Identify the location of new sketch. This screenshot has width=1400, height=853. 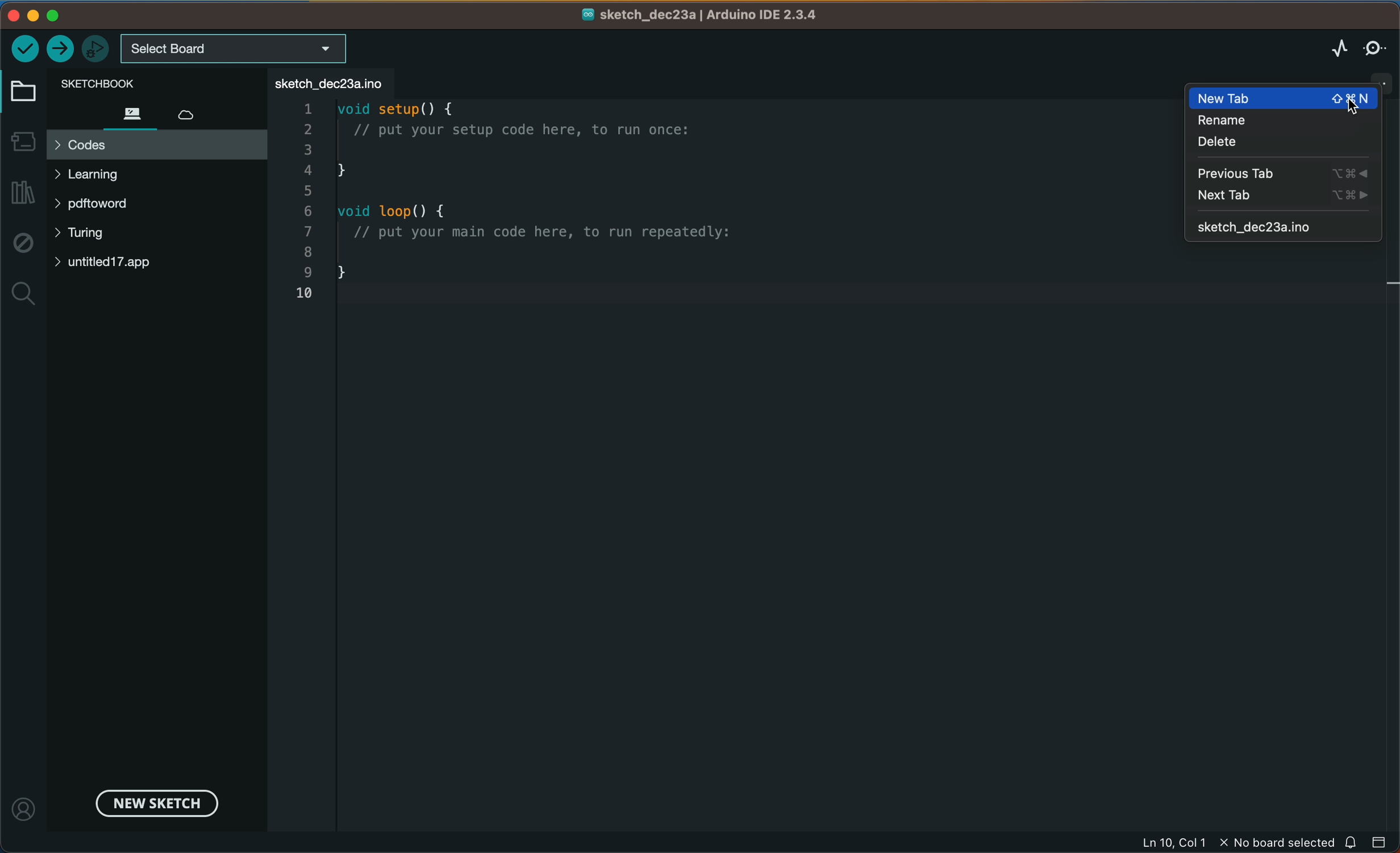
(153, 802).